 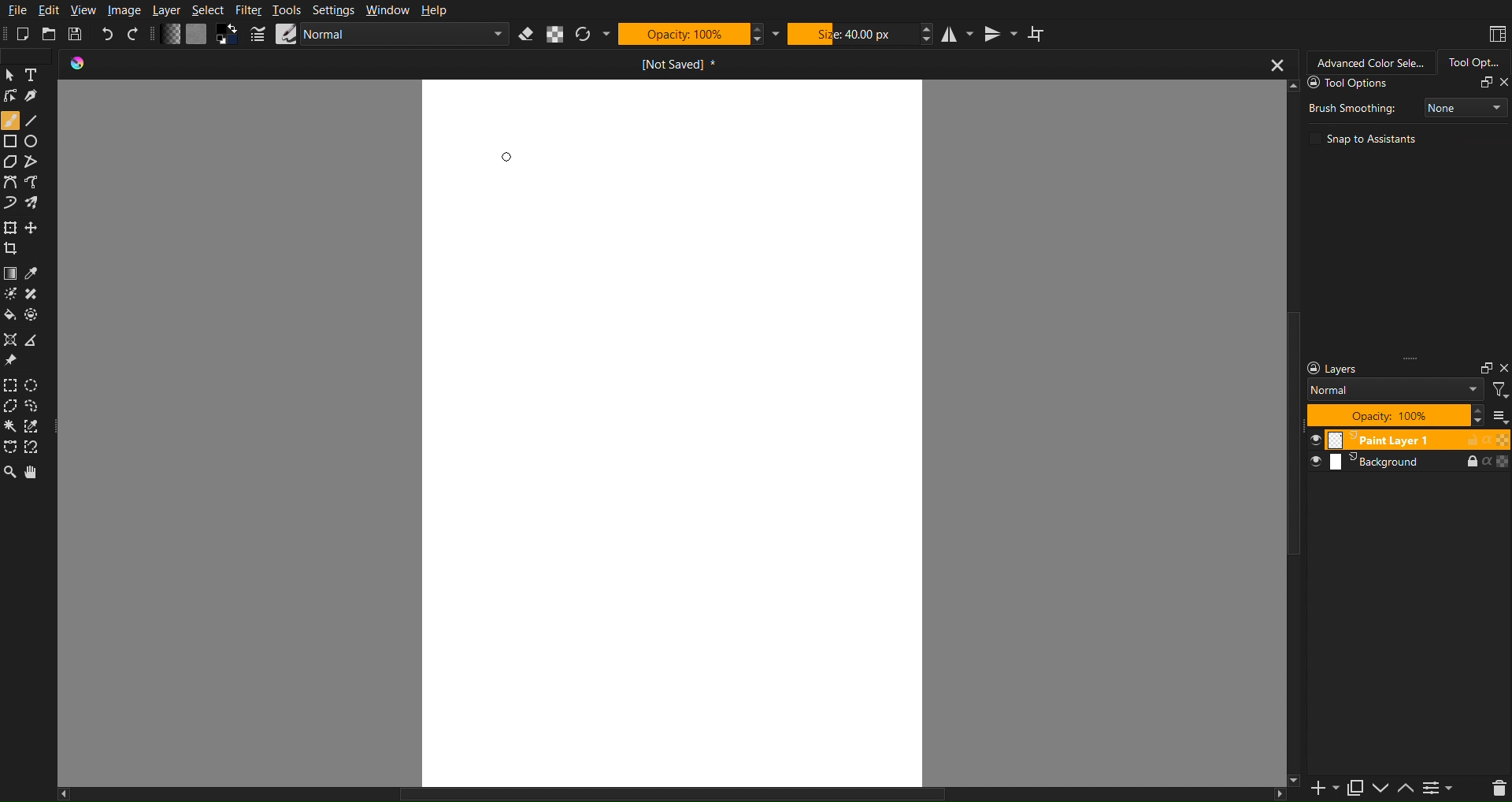 I want to click on Text, so click(x=37, y=76).